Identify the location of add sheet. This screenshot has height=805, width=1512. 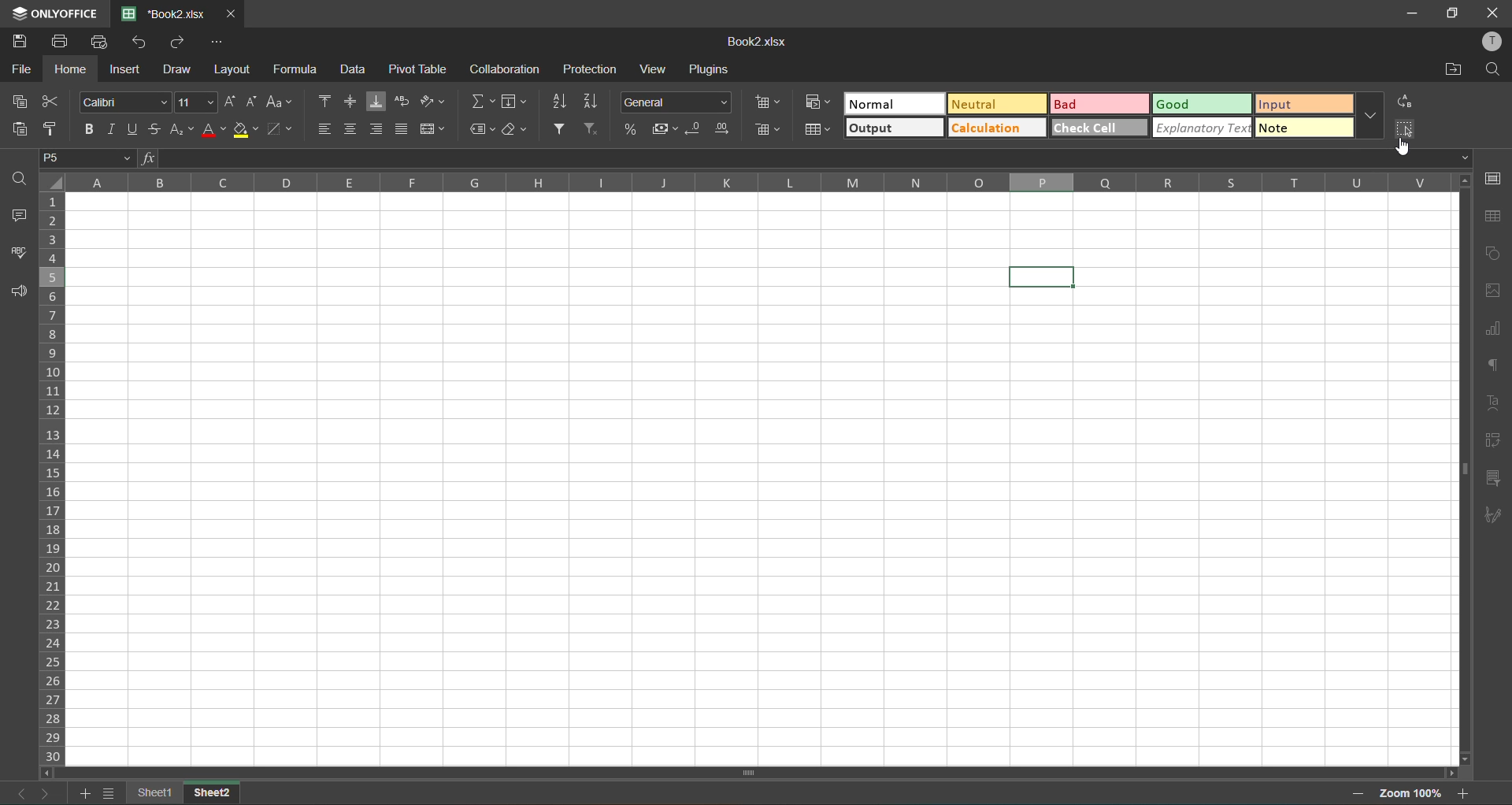
(83, 793).